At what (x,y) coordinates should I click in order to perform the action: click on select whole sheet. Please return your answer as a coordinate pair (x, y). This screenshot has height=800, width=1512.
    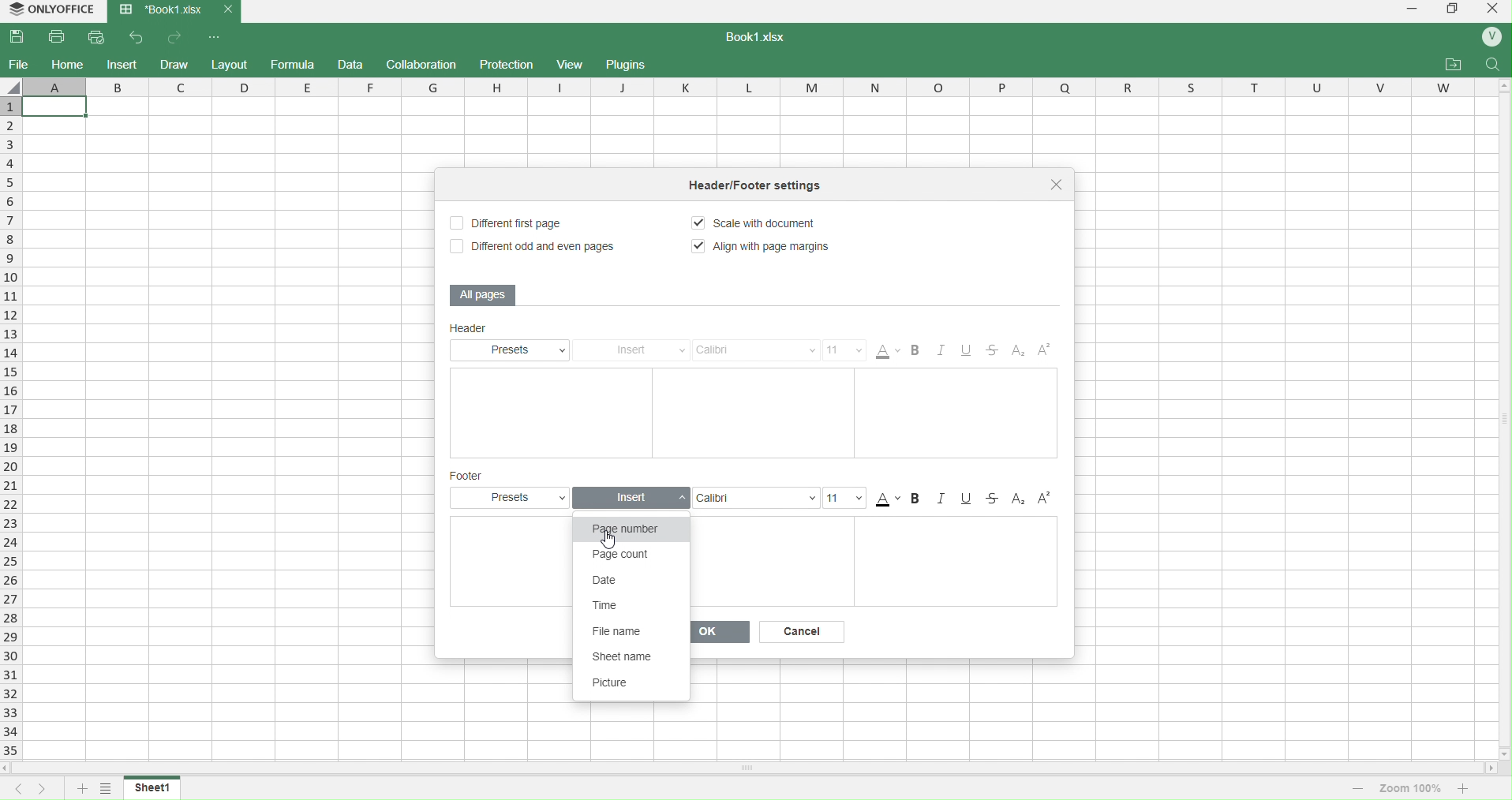
    Looking at the image, I should click on (13, 86).